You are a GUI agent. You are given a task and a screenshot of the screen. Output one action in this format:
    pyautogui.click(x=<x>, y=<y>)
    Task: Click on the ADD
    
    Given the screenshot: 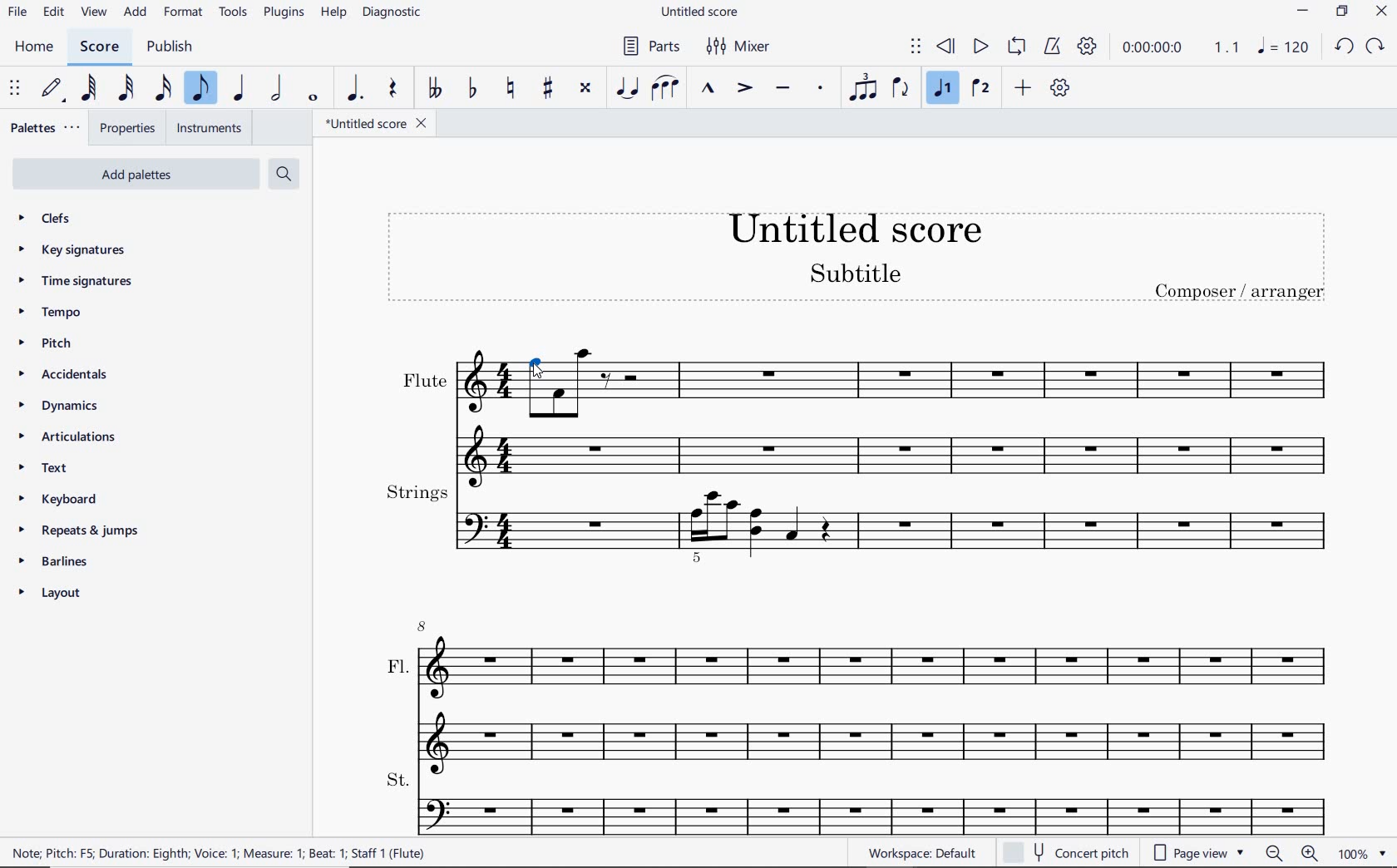 What is the action you would take?
    pyautogui.click(x=1024, y=88)
    